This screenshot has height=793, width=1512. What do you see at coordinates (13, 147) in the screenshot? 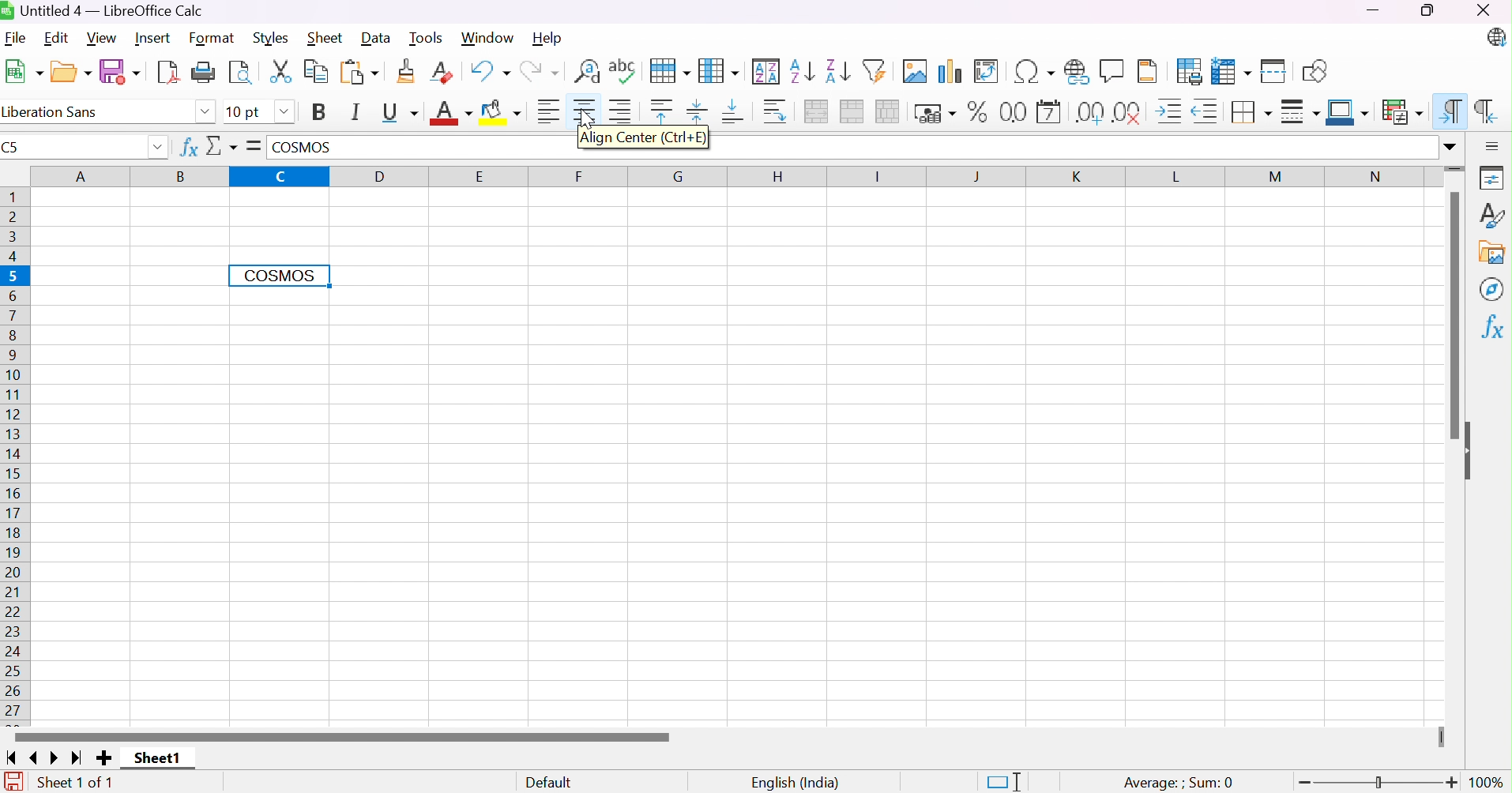
I see `C5` at bounding box center [13, 147].